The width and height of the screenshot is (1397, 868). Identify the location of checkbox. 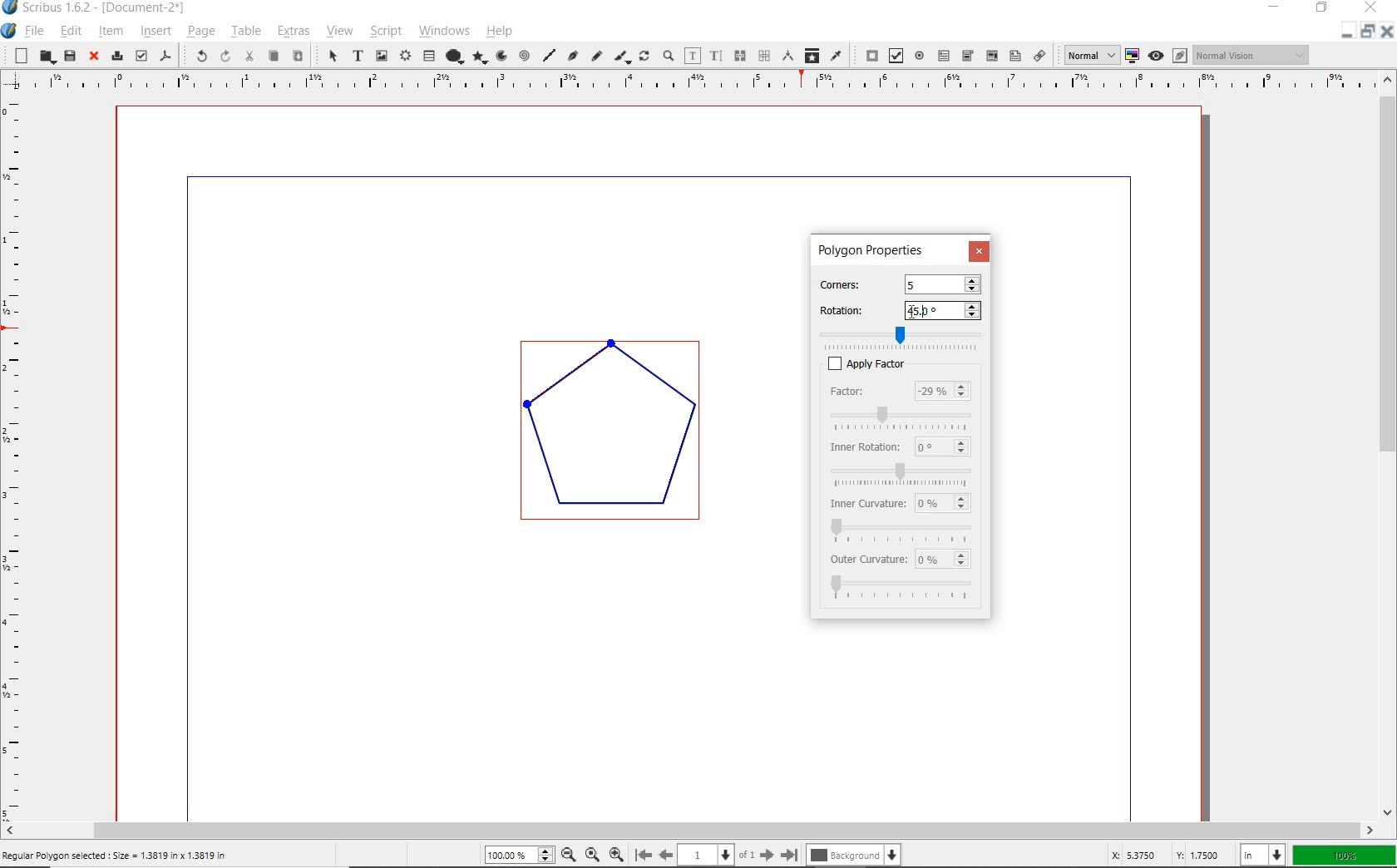
(828, 363).